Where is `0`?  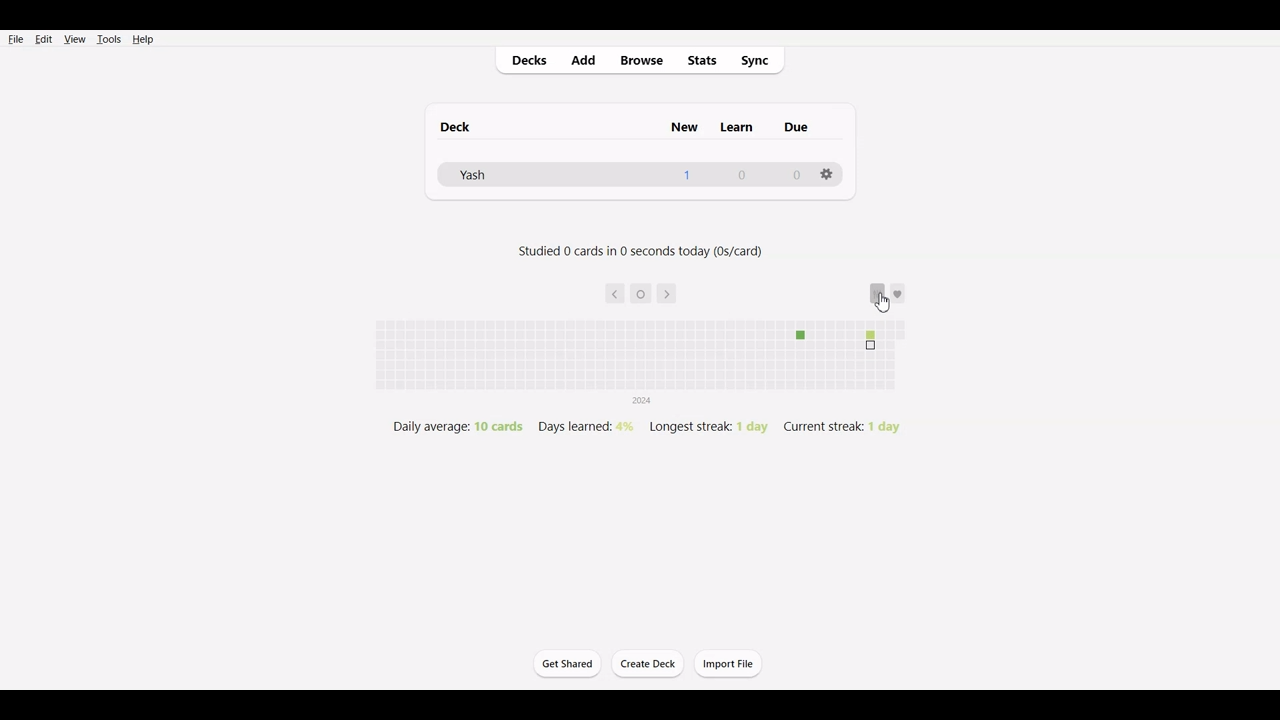
0 is located at coordinates (798, 174).